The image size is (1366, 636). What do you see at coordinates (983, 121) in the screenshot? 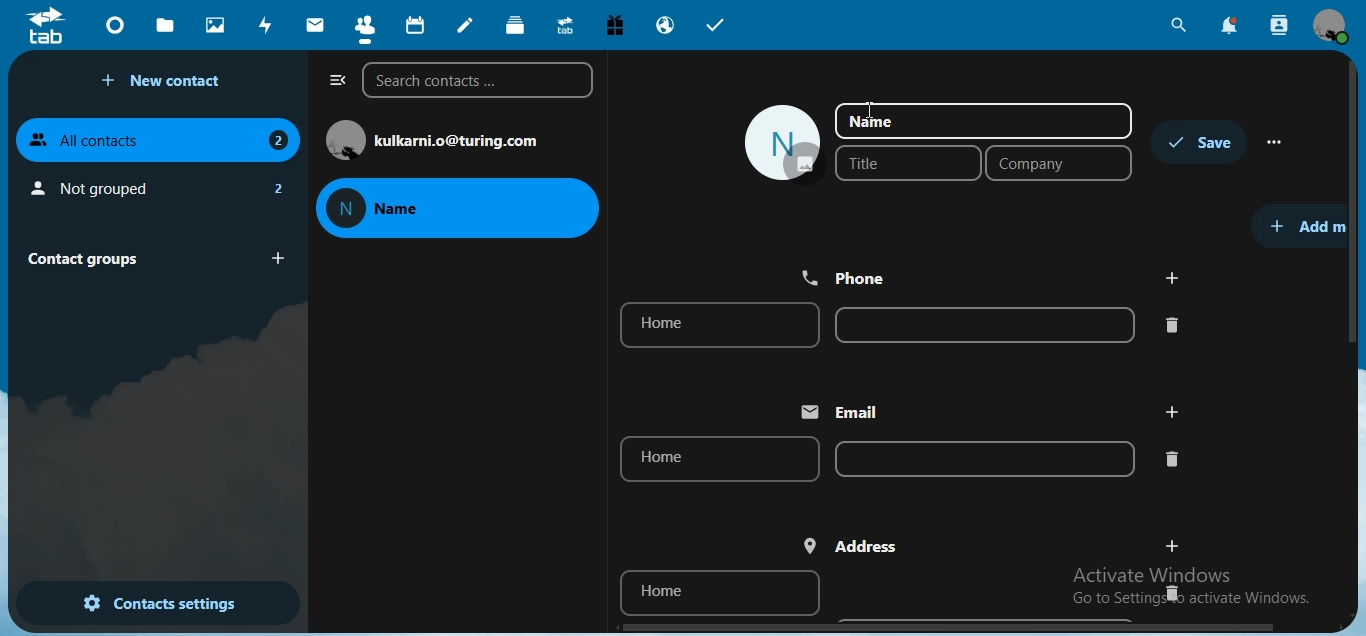
I see `name` at bounding box center [983, 121].